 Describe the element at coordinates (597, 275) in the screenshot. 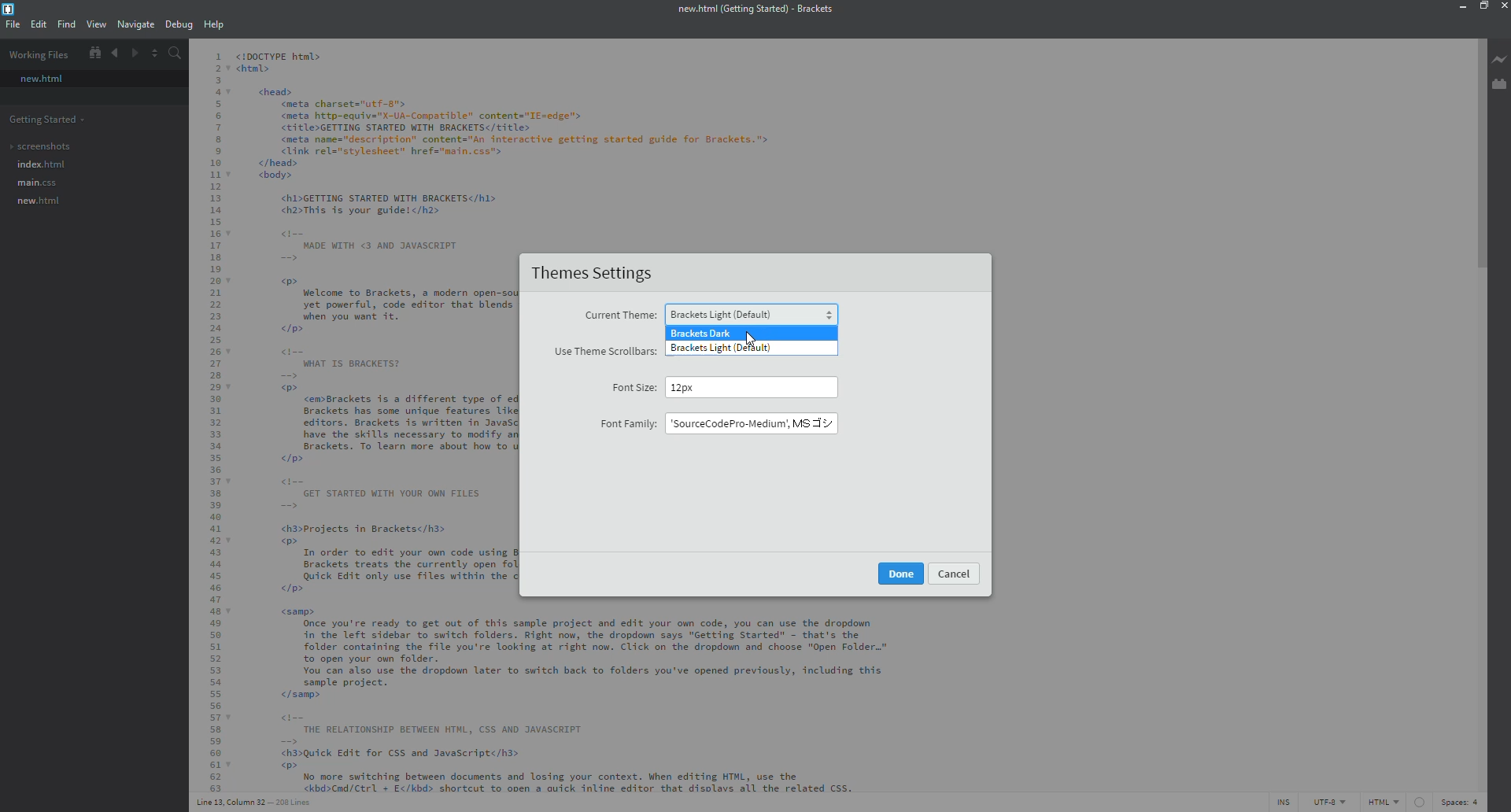

I see `themes` at that location.